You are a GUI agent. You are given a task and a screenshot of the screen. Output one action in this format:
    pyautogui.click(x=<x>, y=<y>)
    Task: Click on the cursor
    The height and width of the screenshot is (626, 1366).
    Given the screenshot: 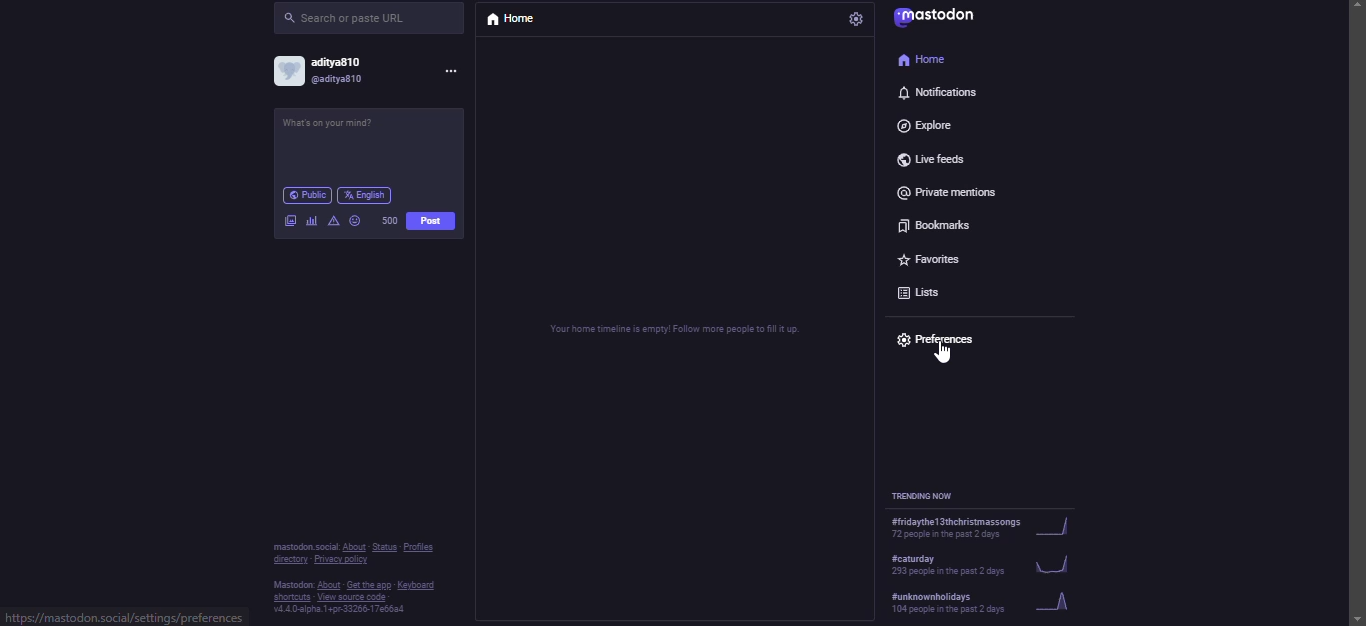 What is the action you would take?
    pyautogui.click(x=940, y=354)
    